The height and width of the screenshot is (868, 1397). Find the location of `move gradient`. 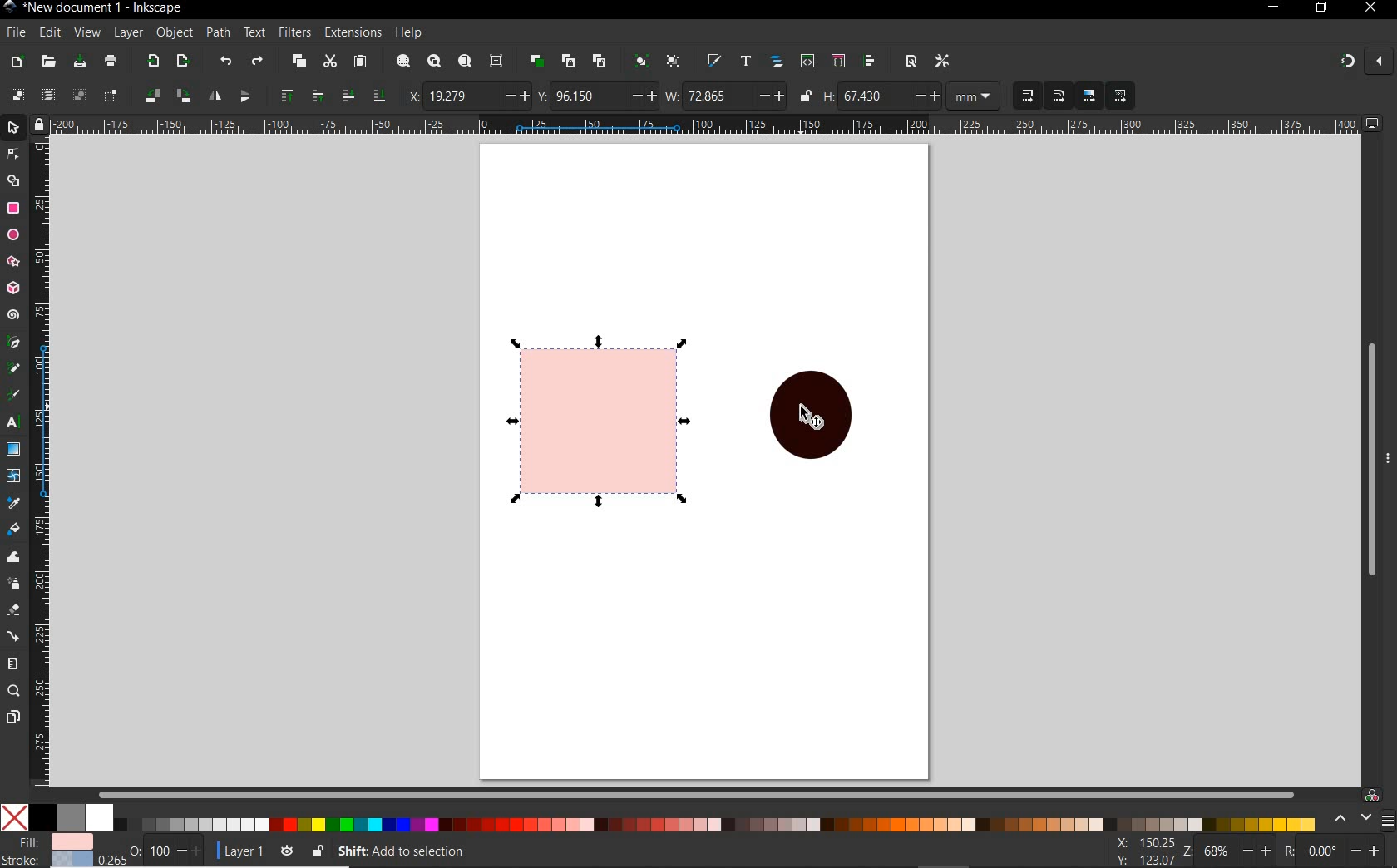

move gradient is located at coordinates (1090, 95).